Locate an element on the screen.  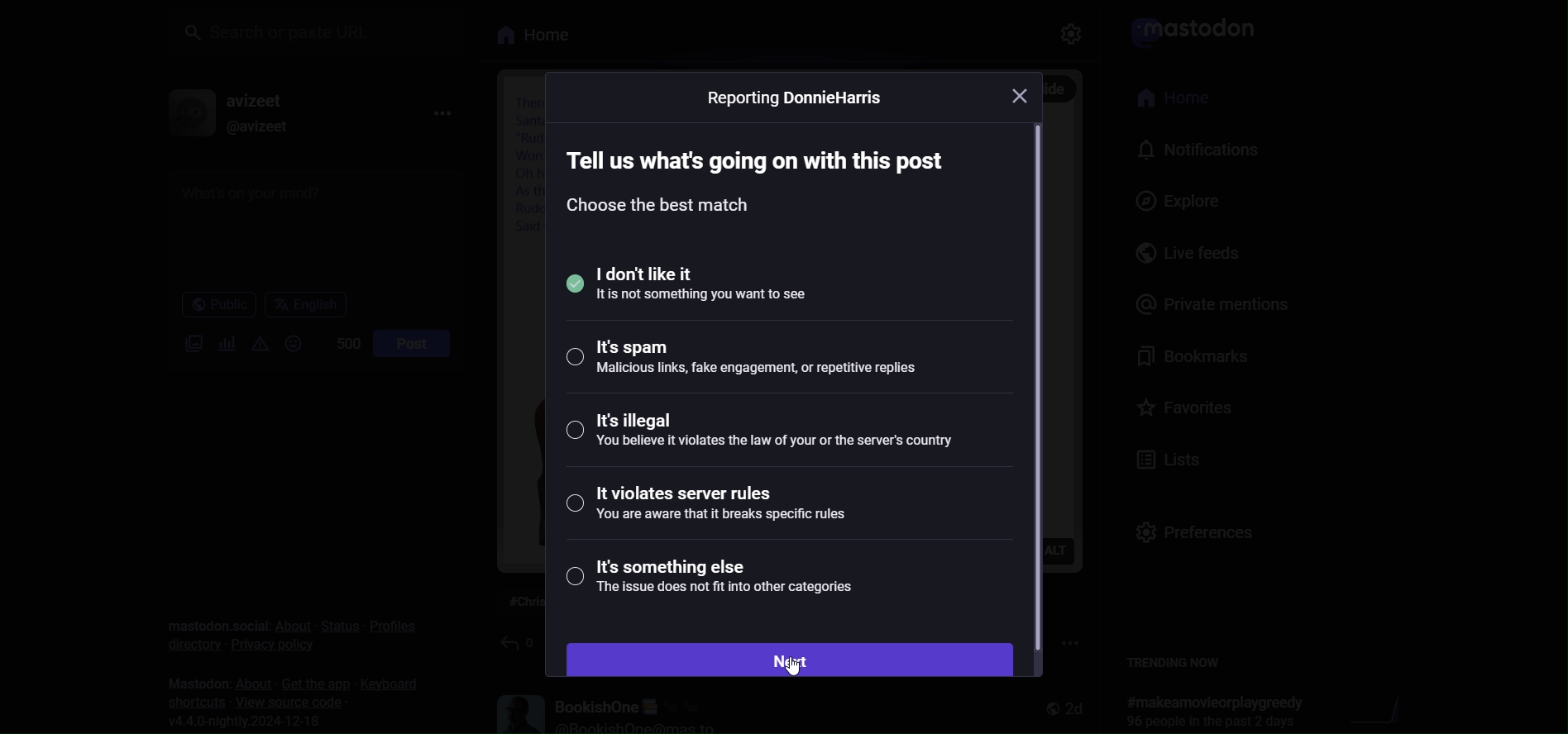
explore is located at coordinates (1162, 201).